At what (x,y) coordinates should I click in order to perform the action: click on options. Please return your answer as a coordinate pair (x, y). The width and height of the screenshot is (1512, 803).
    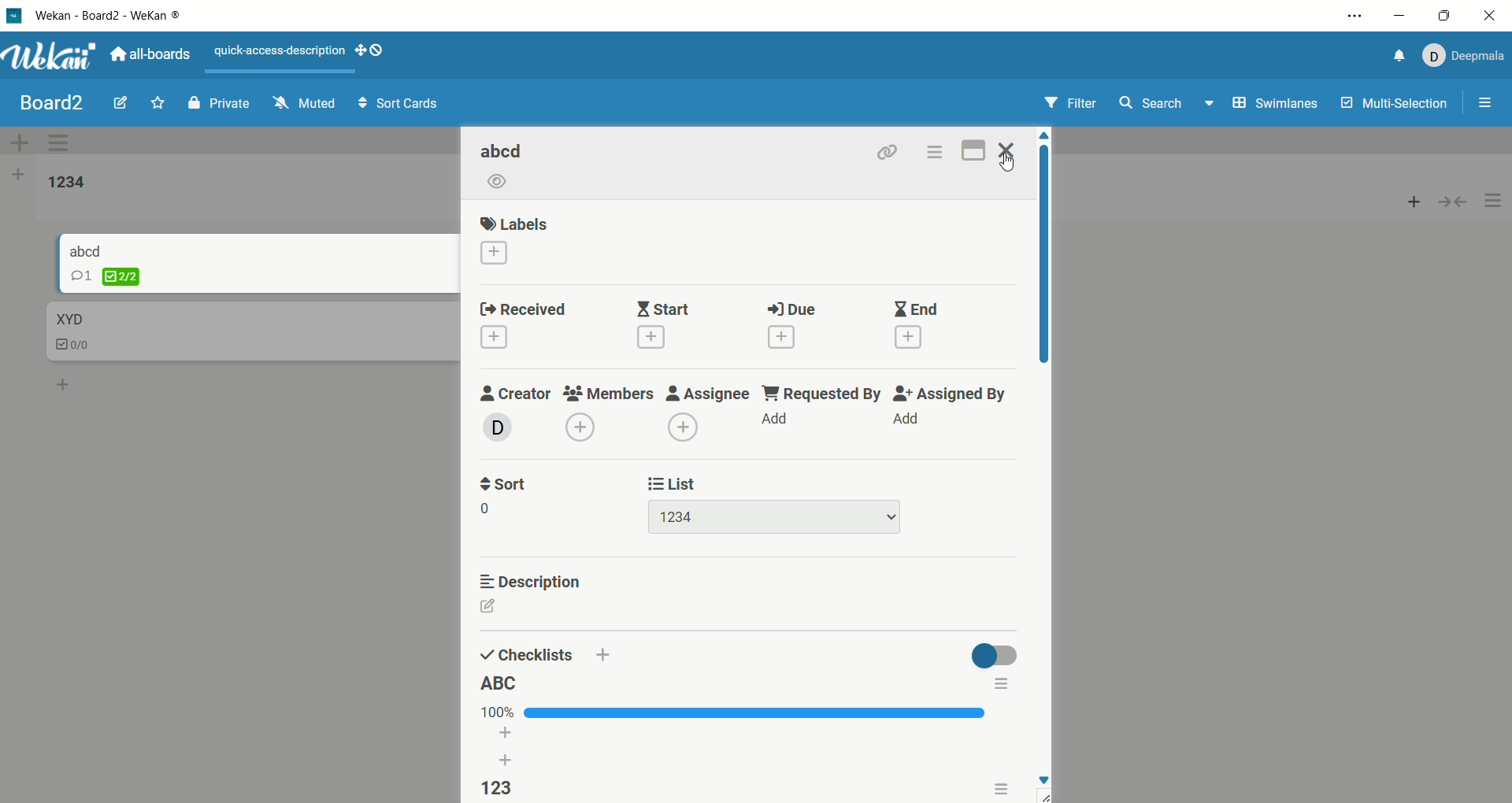
    Looking at the image, I should click on (939, 152).